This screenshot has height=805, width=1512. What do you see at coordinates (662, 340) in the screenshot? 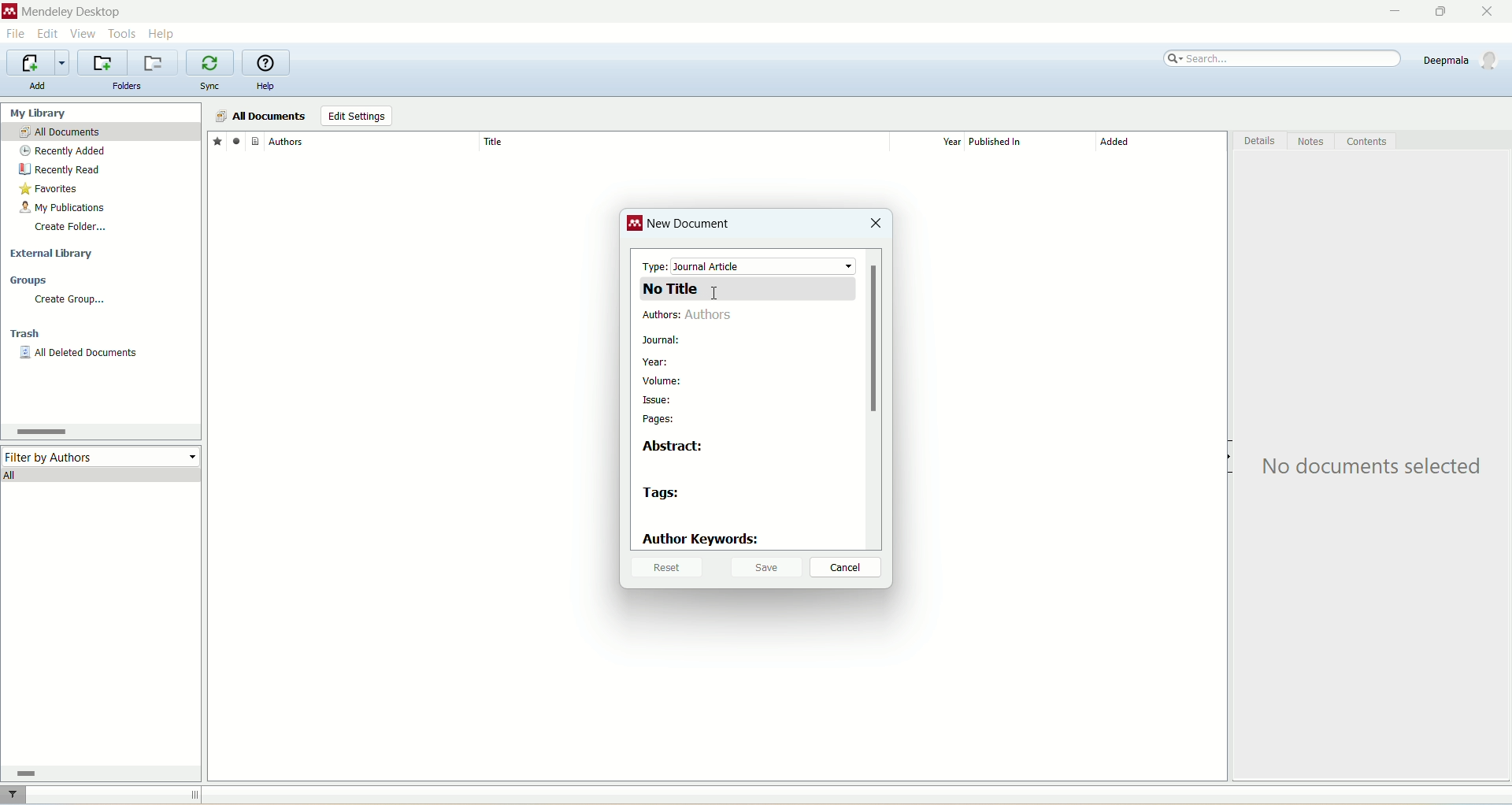
I see `journal` at bounding box center [662, 340].